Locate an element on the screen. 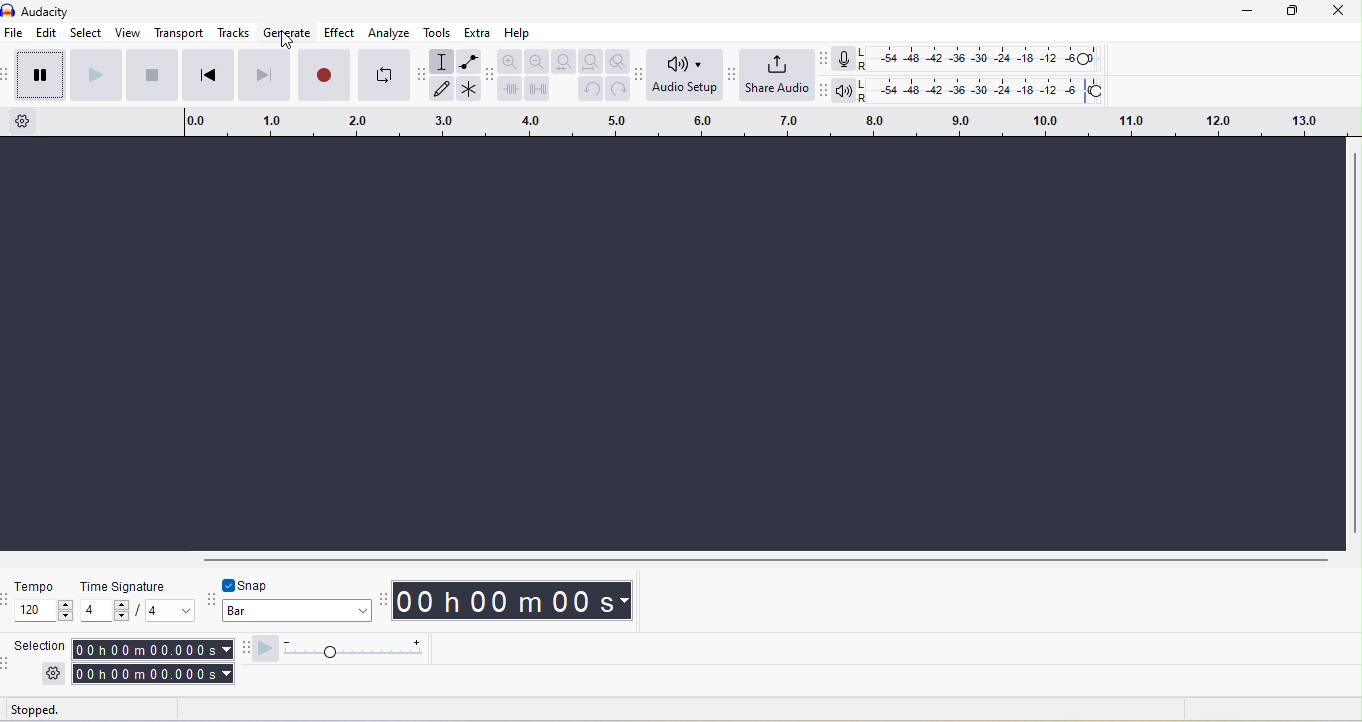 This screenshot has height=722, width=1362. play at speed is located at coordinates (346, 649).